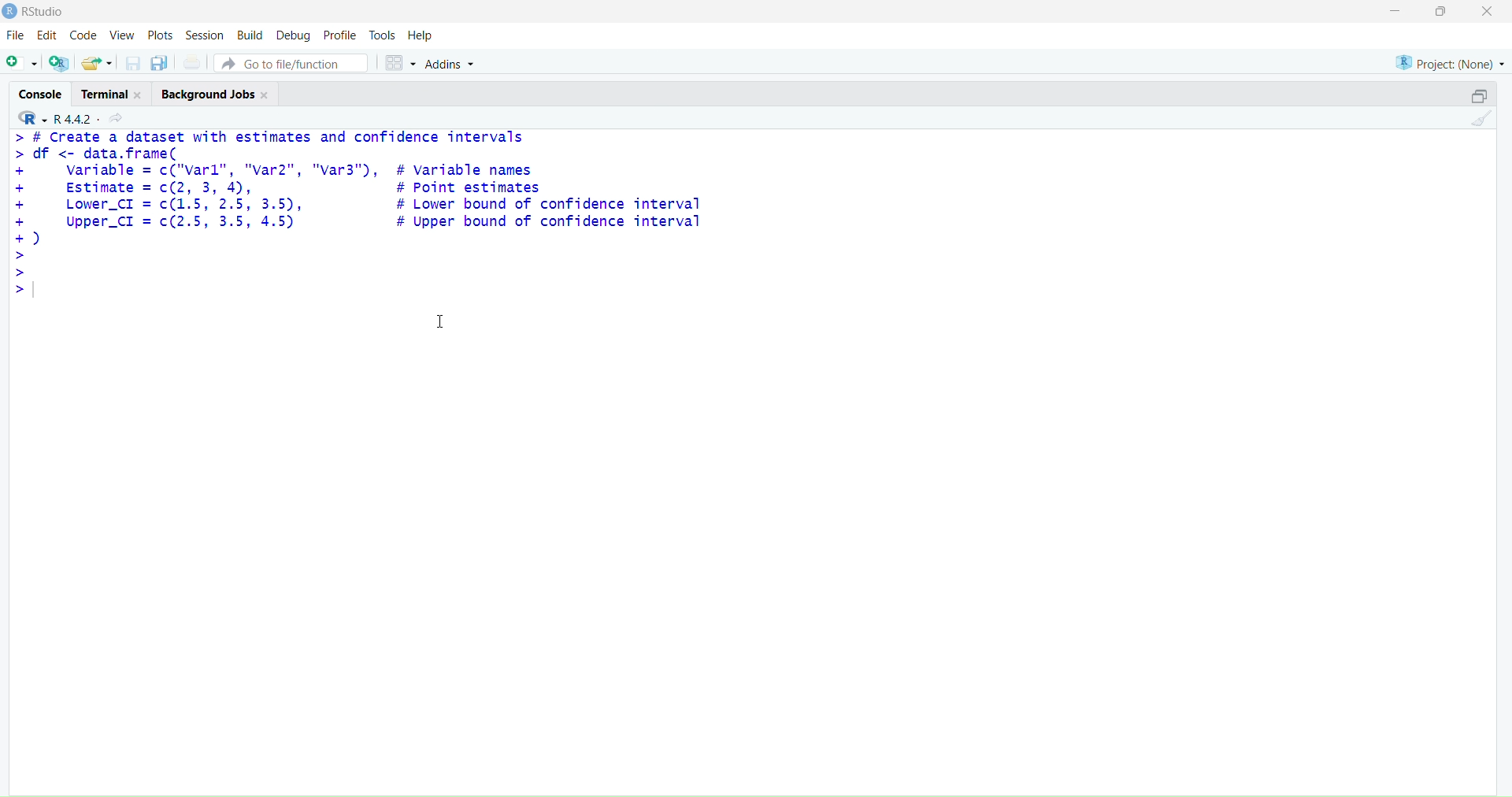 This screenshot has height=797, width=1512. I want to click on create a project, so click(59, 62).